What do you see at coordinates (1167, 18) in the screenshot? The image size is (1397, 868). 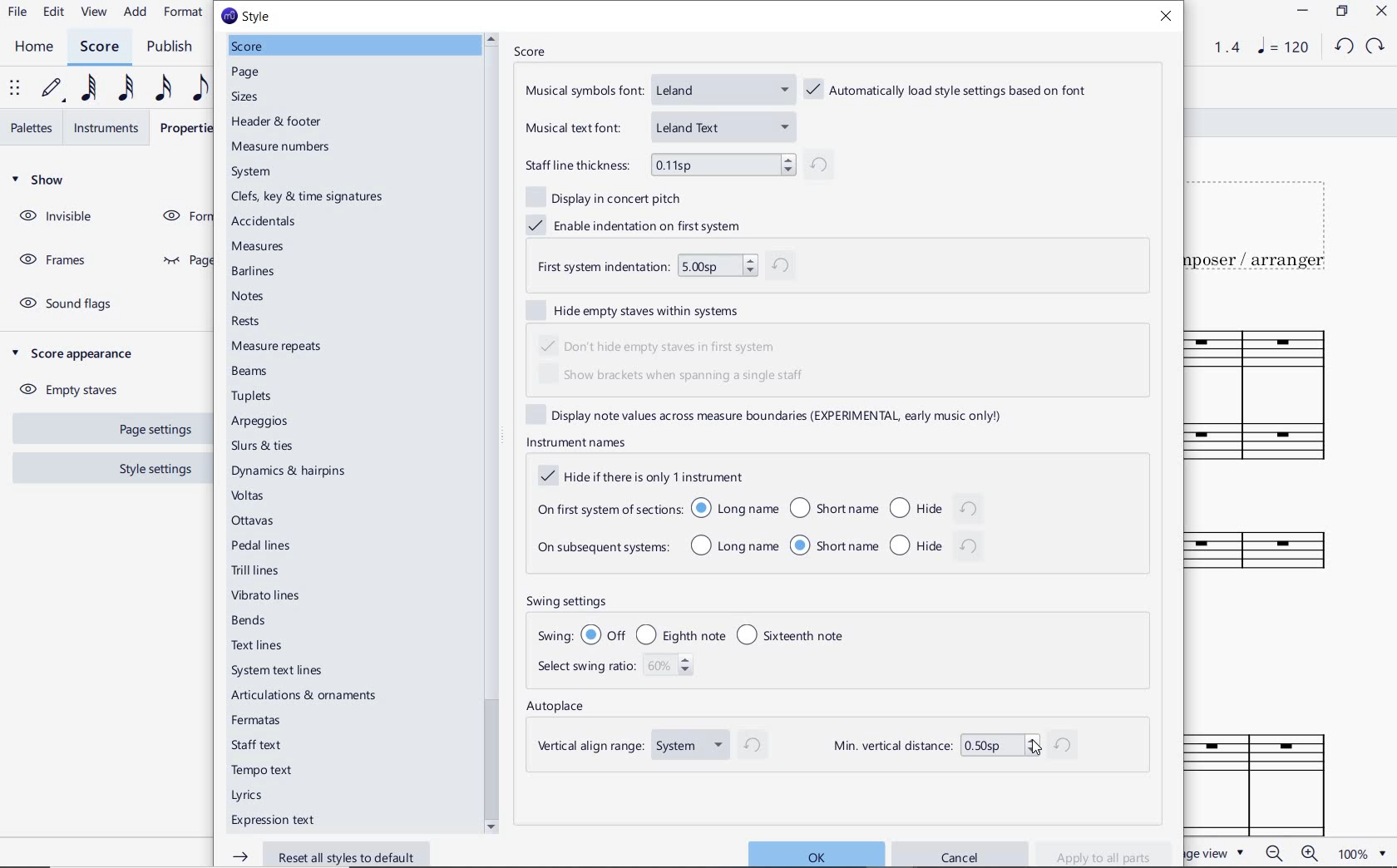 I see `CLOSE` at bounding box center [1167, 18].